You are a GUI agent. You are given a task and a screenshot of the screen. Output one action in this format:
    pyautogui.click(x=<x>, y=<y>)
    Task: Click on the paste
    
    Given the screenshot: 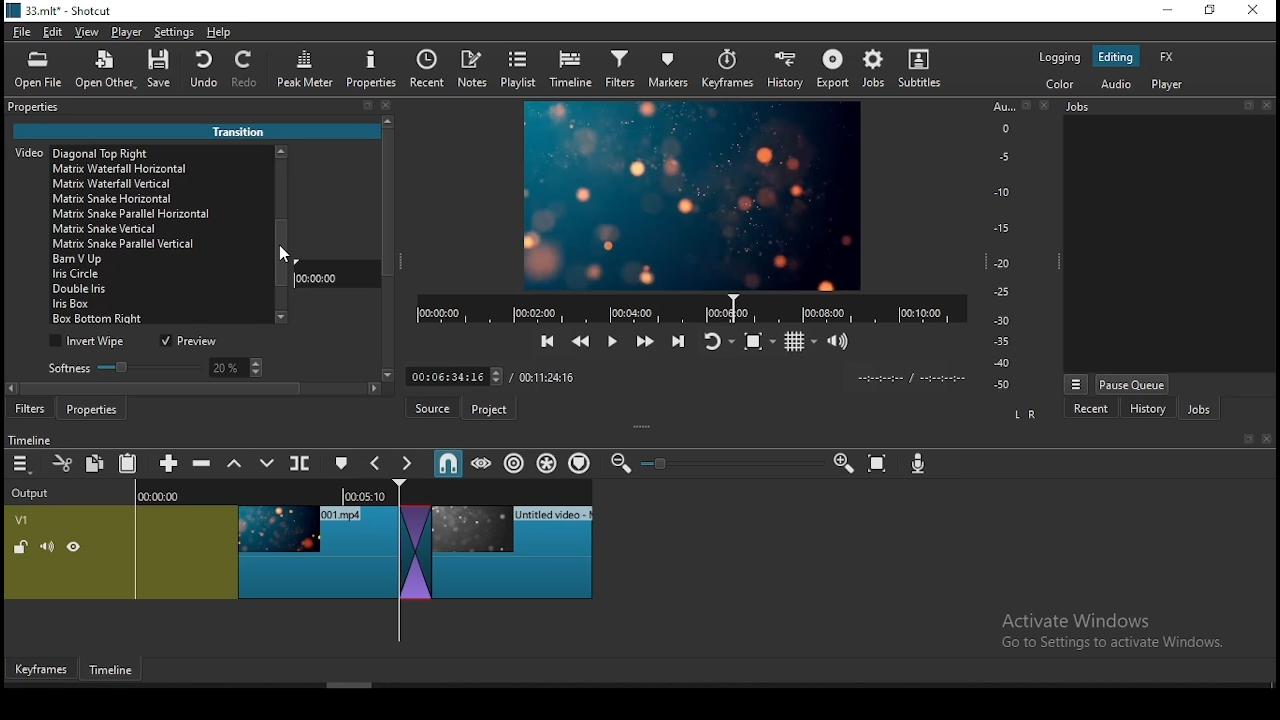 What is the action you would take?
    pyautogui.click(x=131, y=465)
    